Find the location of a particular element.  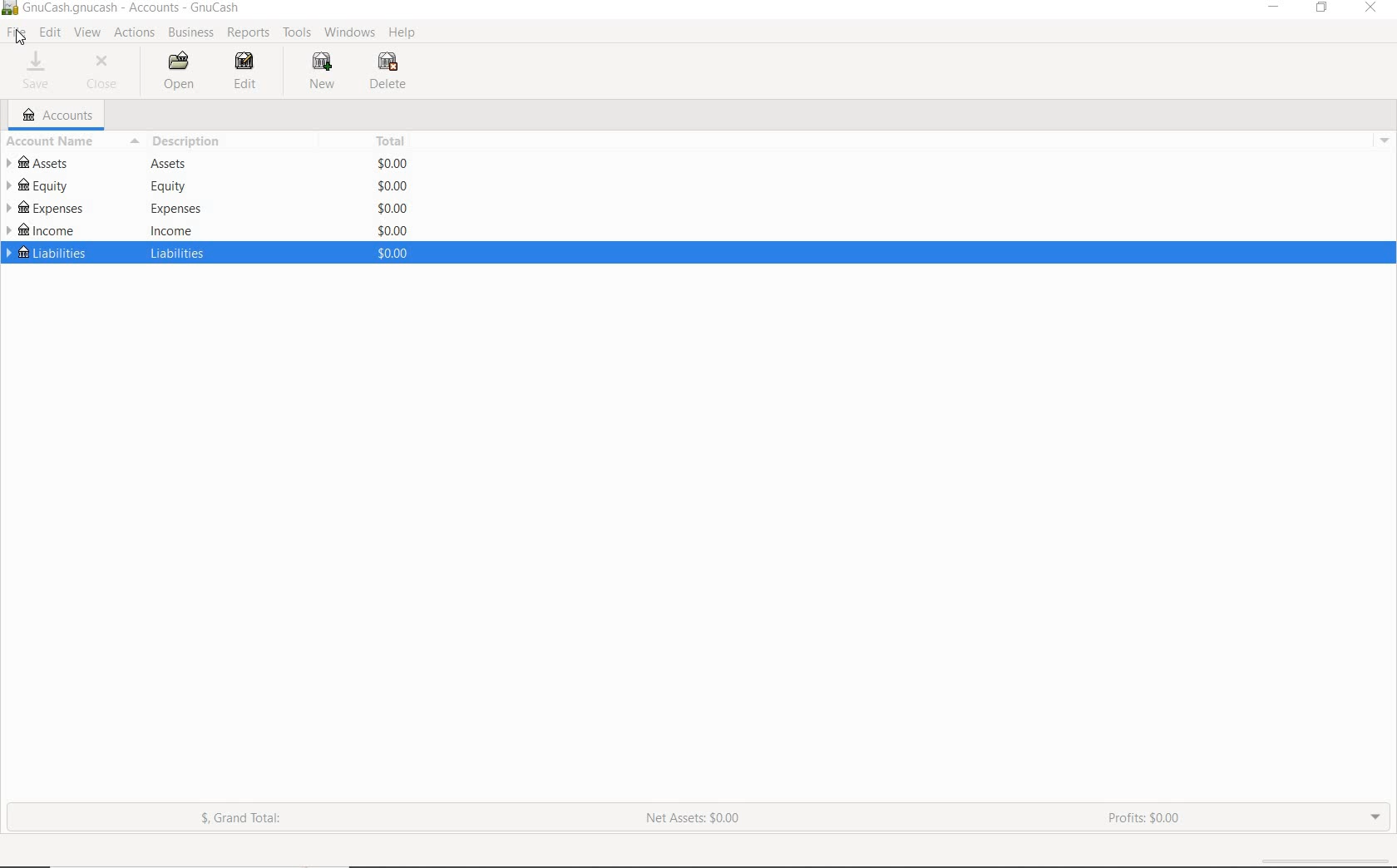

OPEN is located at coordinates (175, 71).